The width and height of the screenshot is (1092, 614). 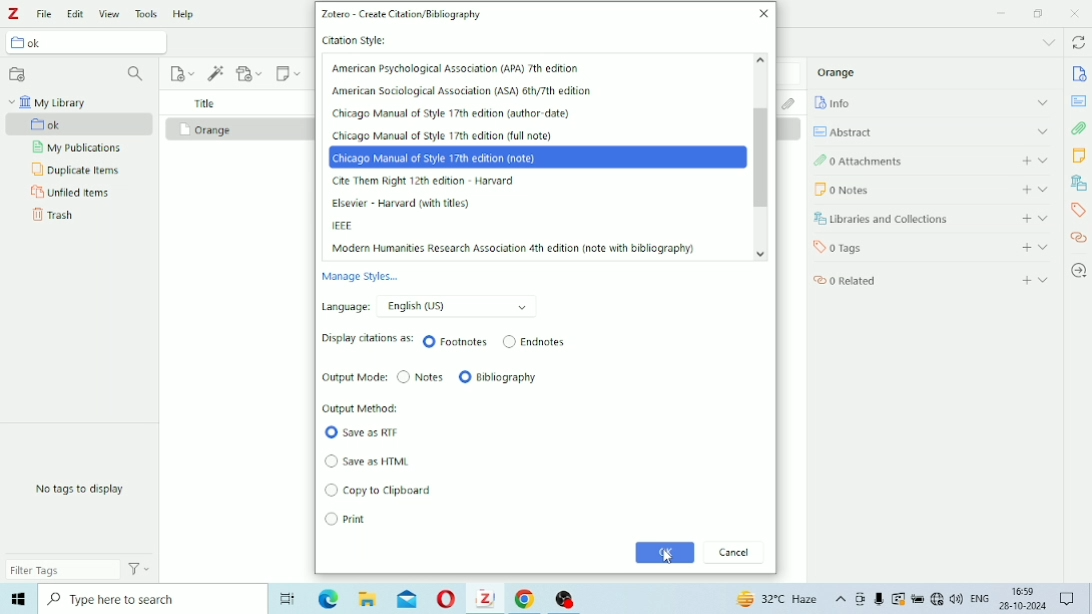 I want to click on Meet Now, so click(x=861, y=599).